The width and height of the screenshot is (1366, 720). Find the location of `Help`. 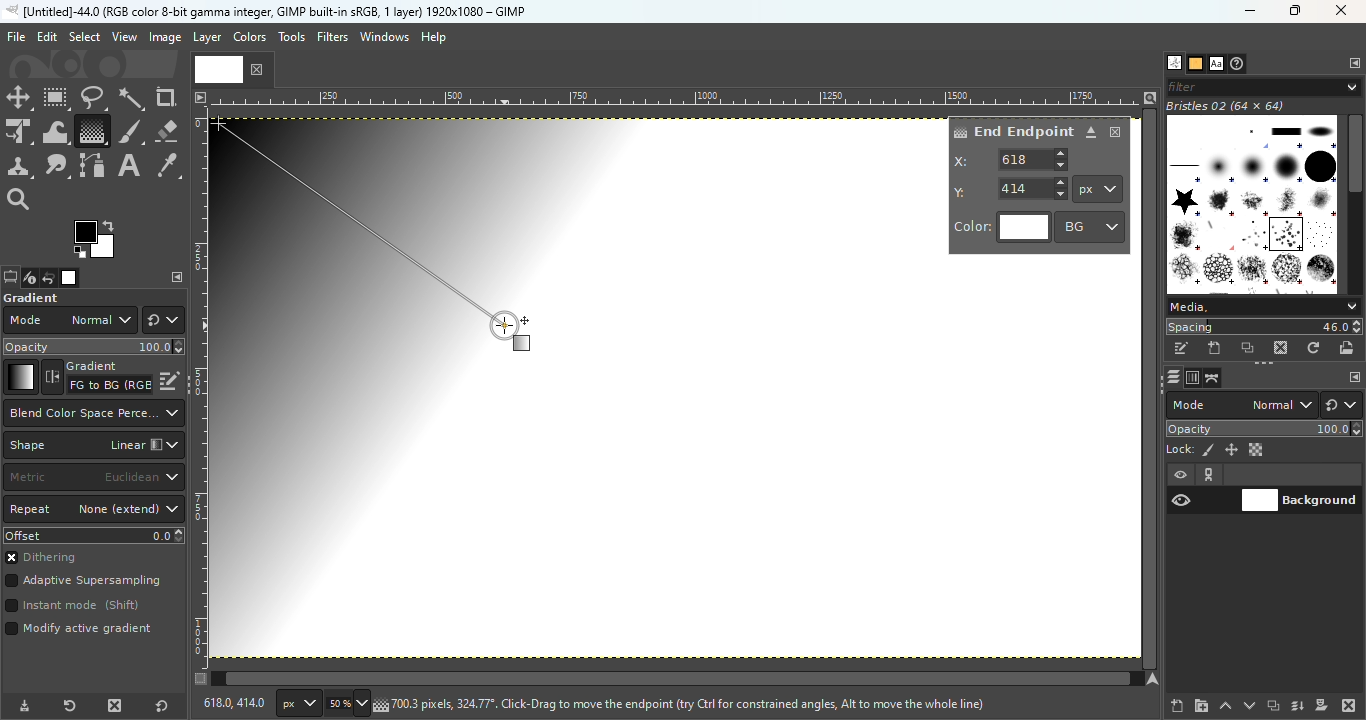

Help is located at coordinates (436, 37).